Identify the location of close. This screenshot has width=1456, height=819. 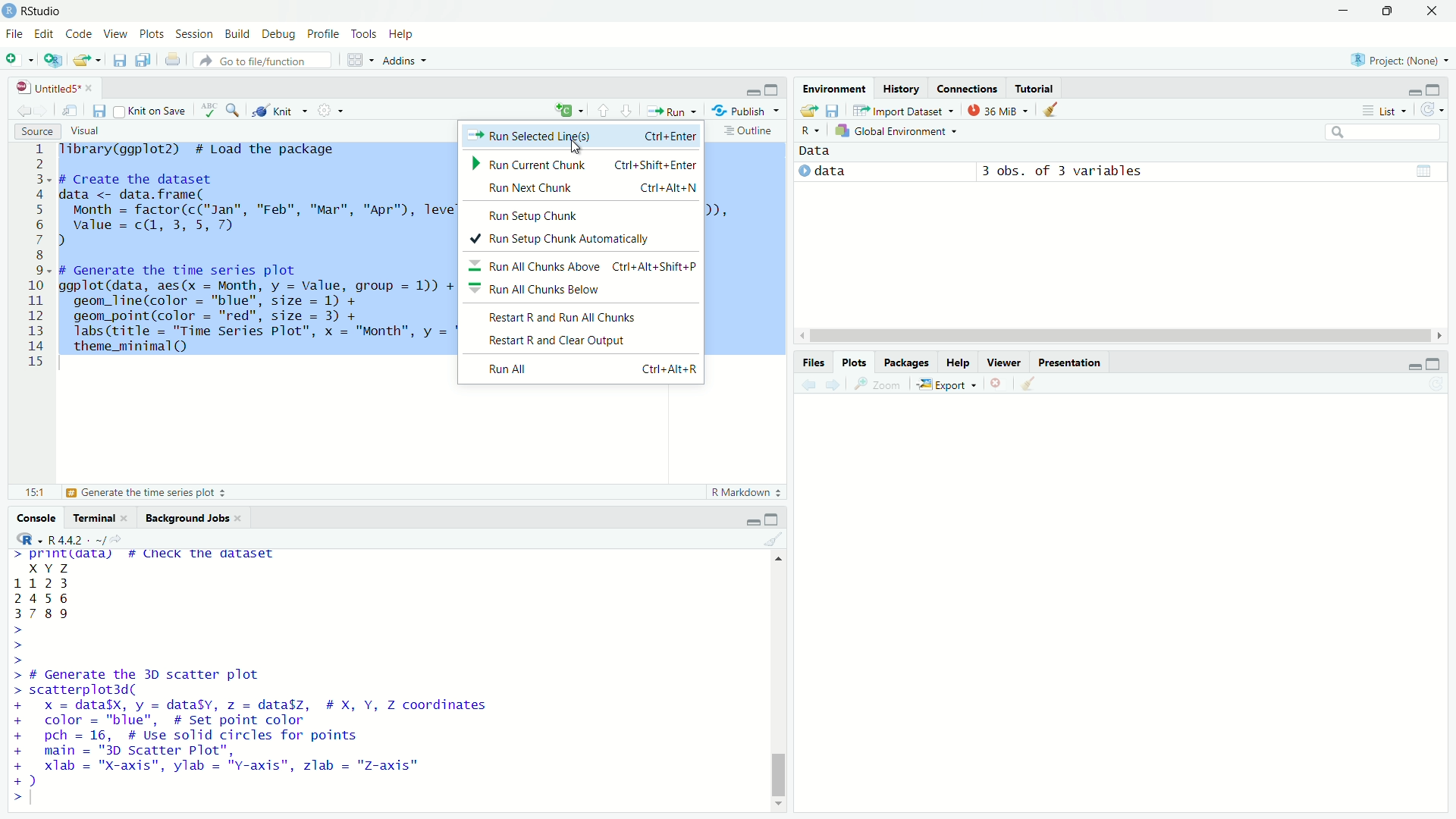
(129, 518).